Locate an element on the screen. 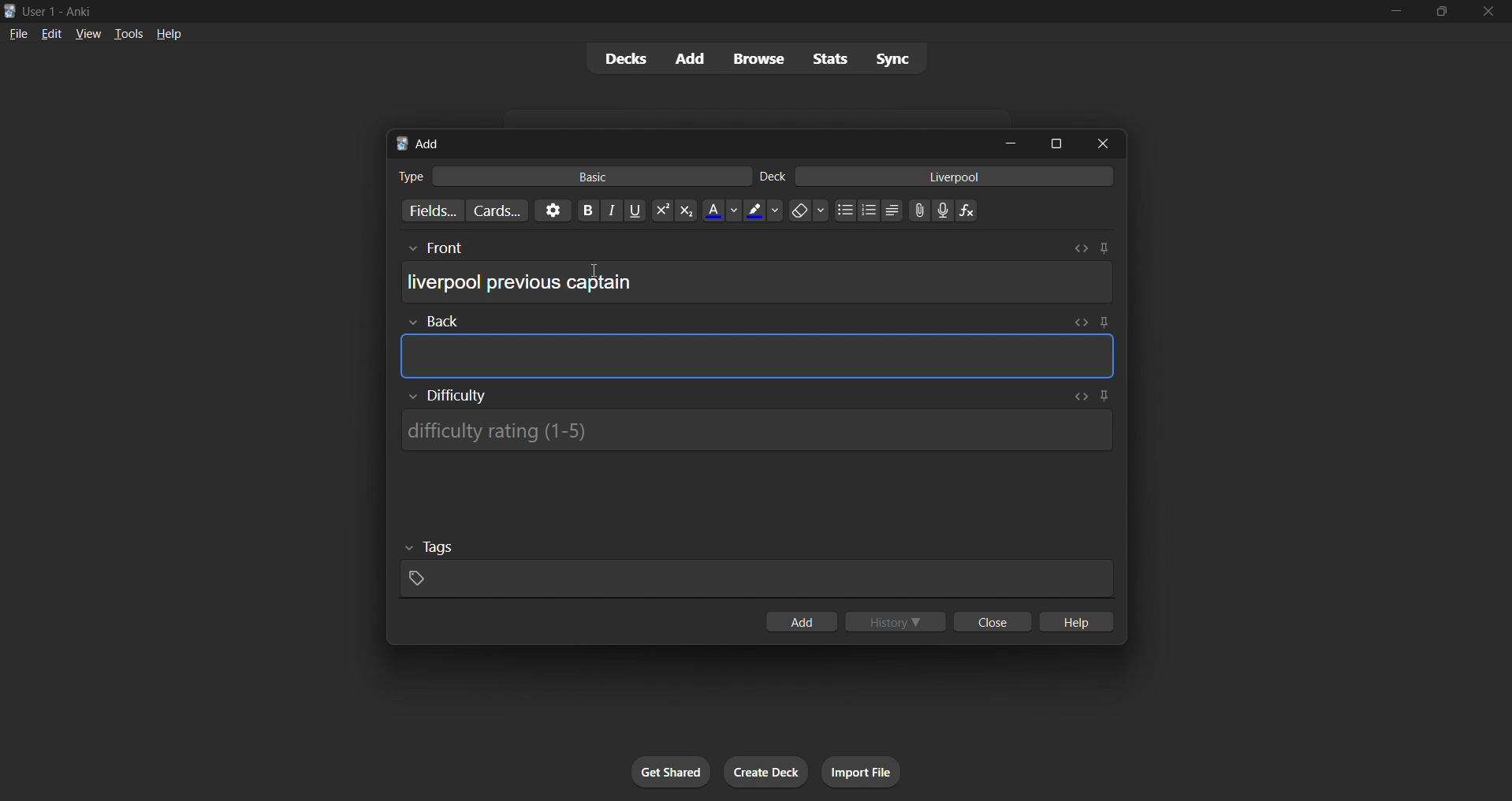 The width and height of the screenshot is (1512, 801). text highlight color is located at coordinates (763, 210).